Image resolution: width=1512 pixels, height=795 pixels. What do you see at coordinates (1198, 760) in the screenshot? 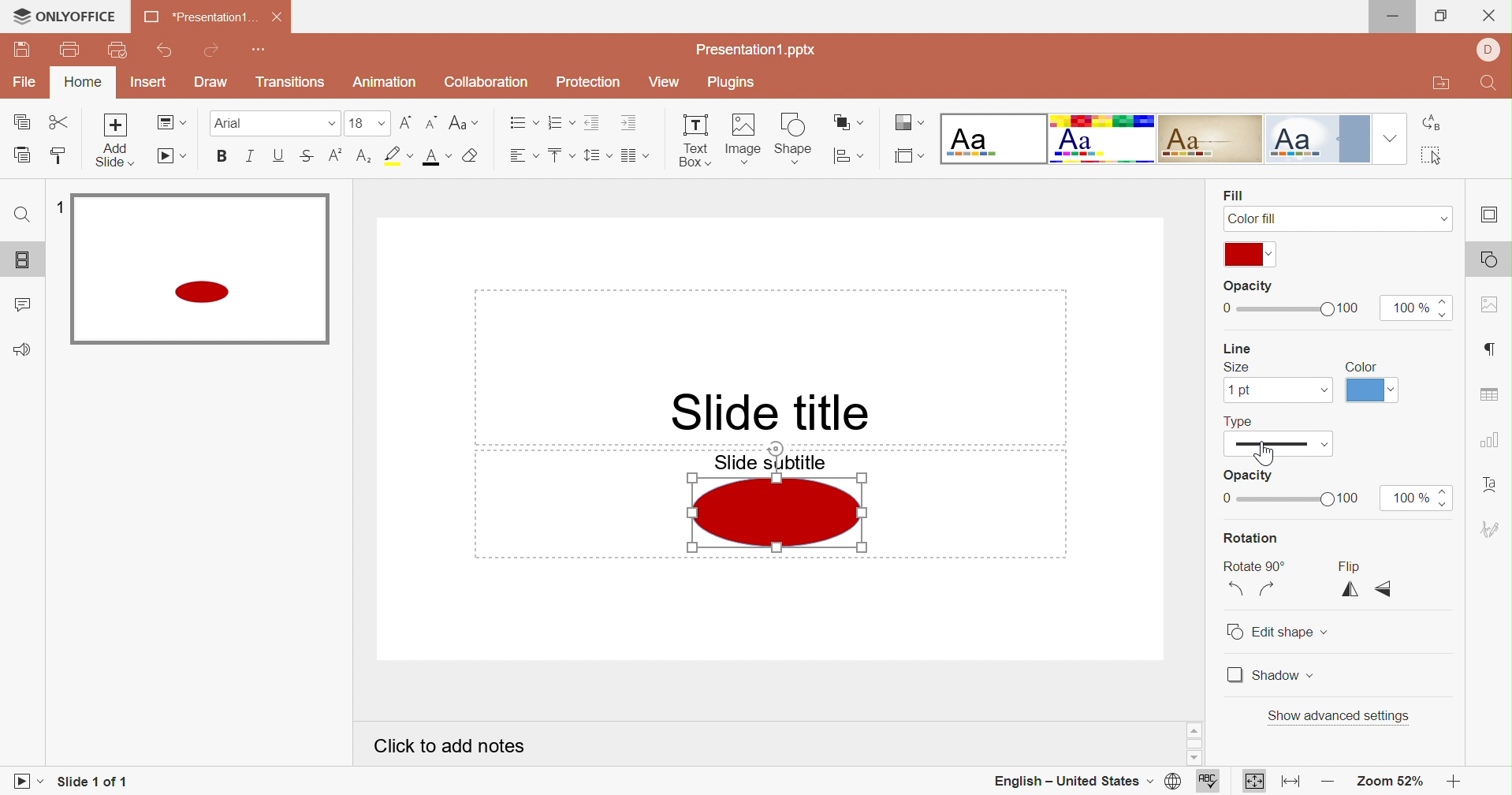
I see `Scroll down` at bounding box center [1198, 760].